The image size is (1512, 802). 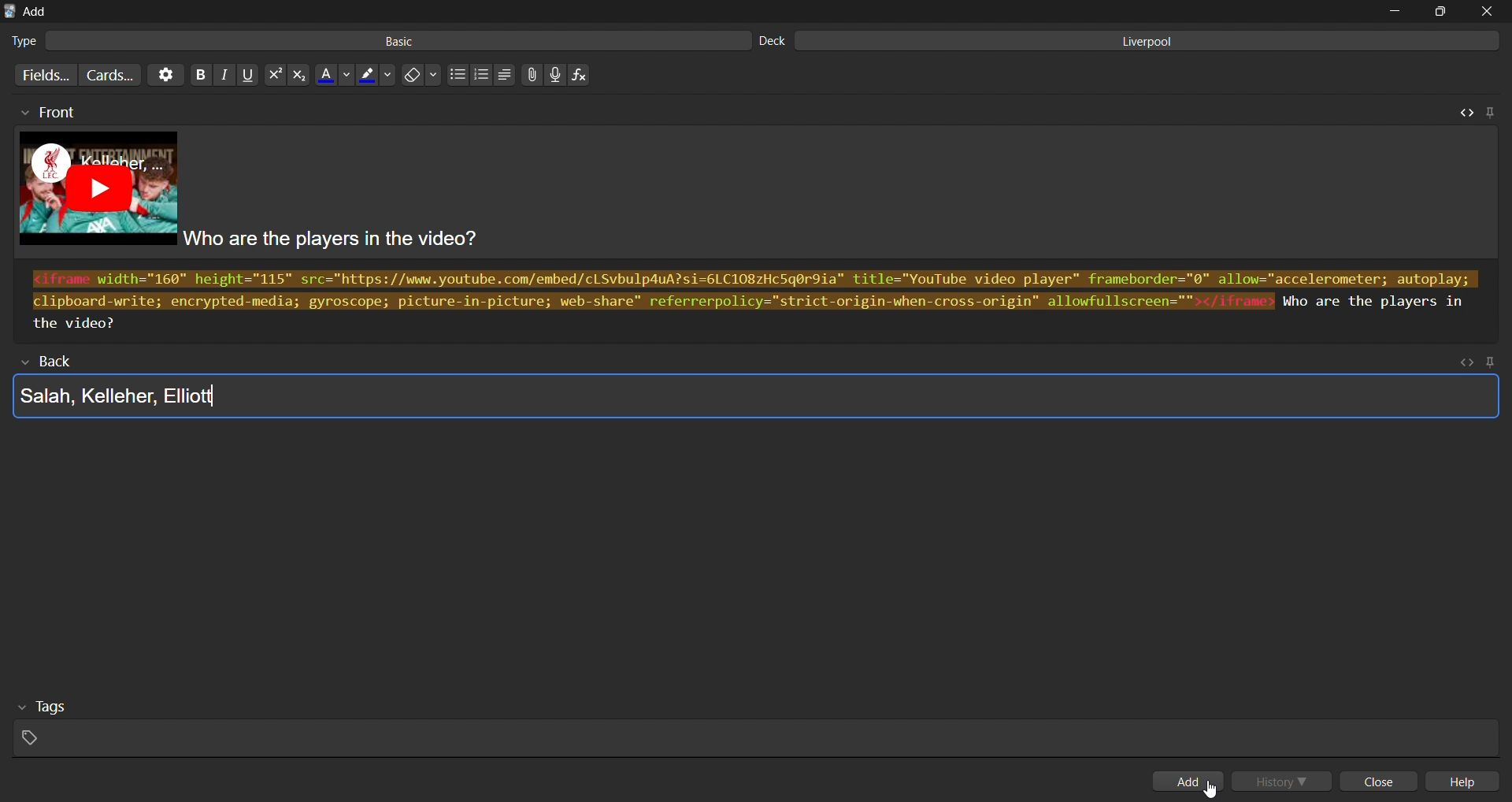 I want to click on minimize, so click(x=1393, y=11).